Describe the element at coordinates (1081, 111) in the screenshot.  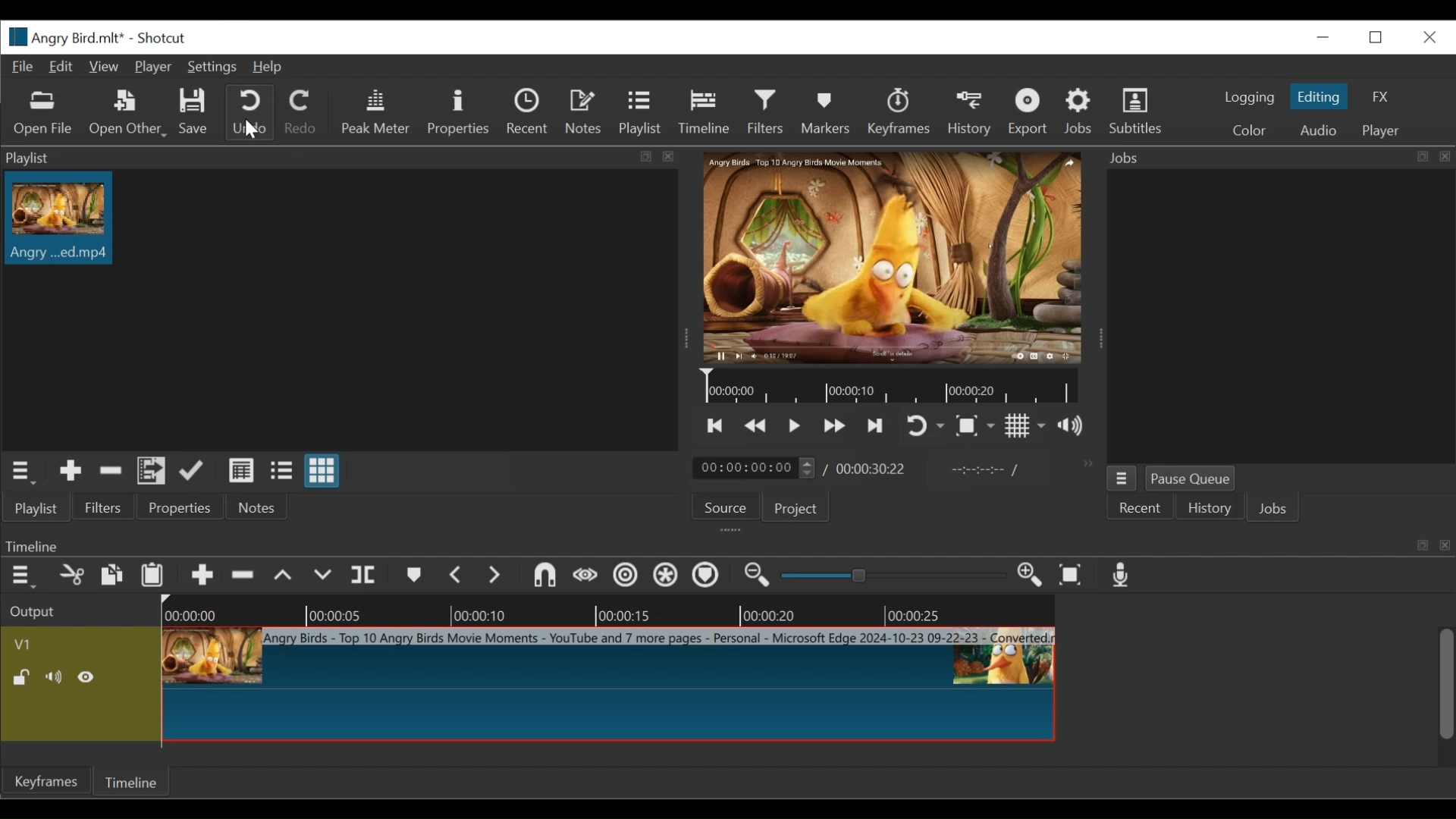
I see `Jobs` at that location.